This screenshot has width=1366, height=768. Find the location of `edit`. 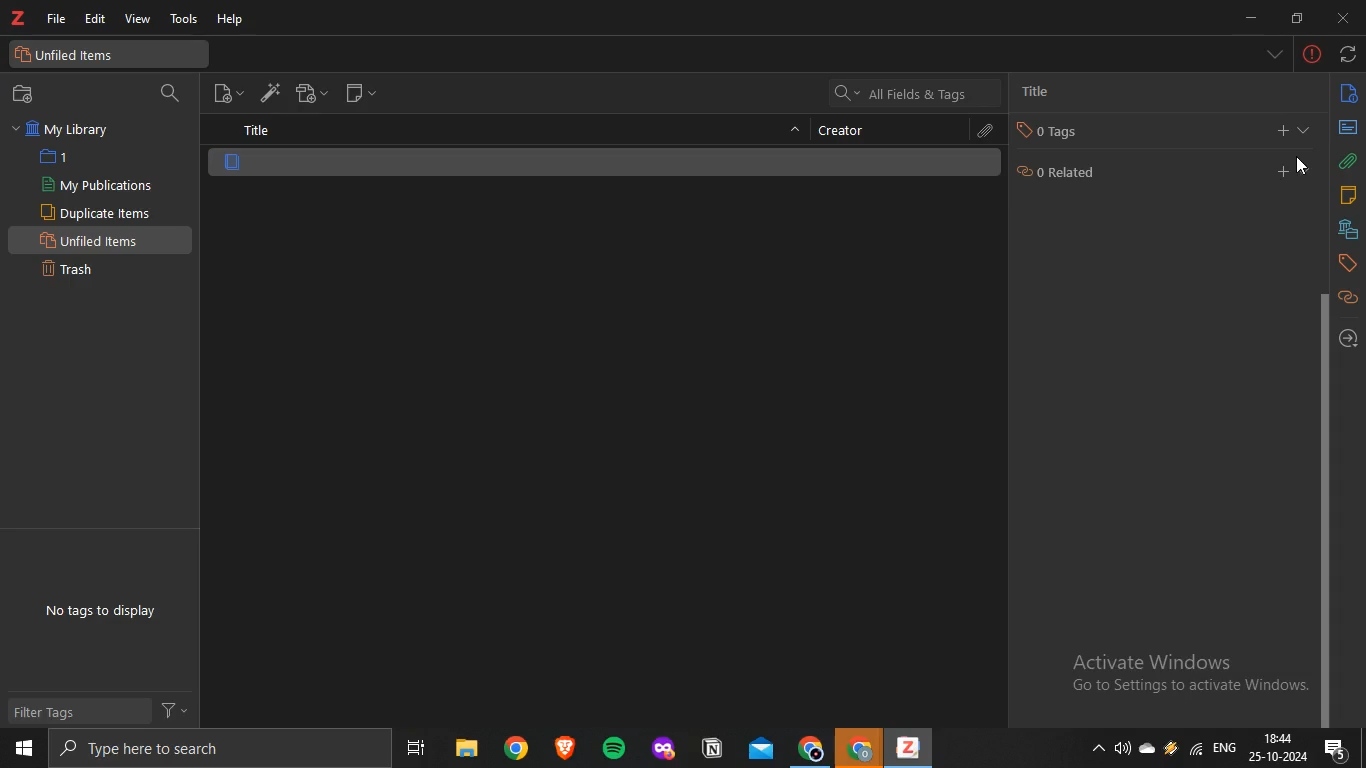

edit is located at coordinates (95, 19).